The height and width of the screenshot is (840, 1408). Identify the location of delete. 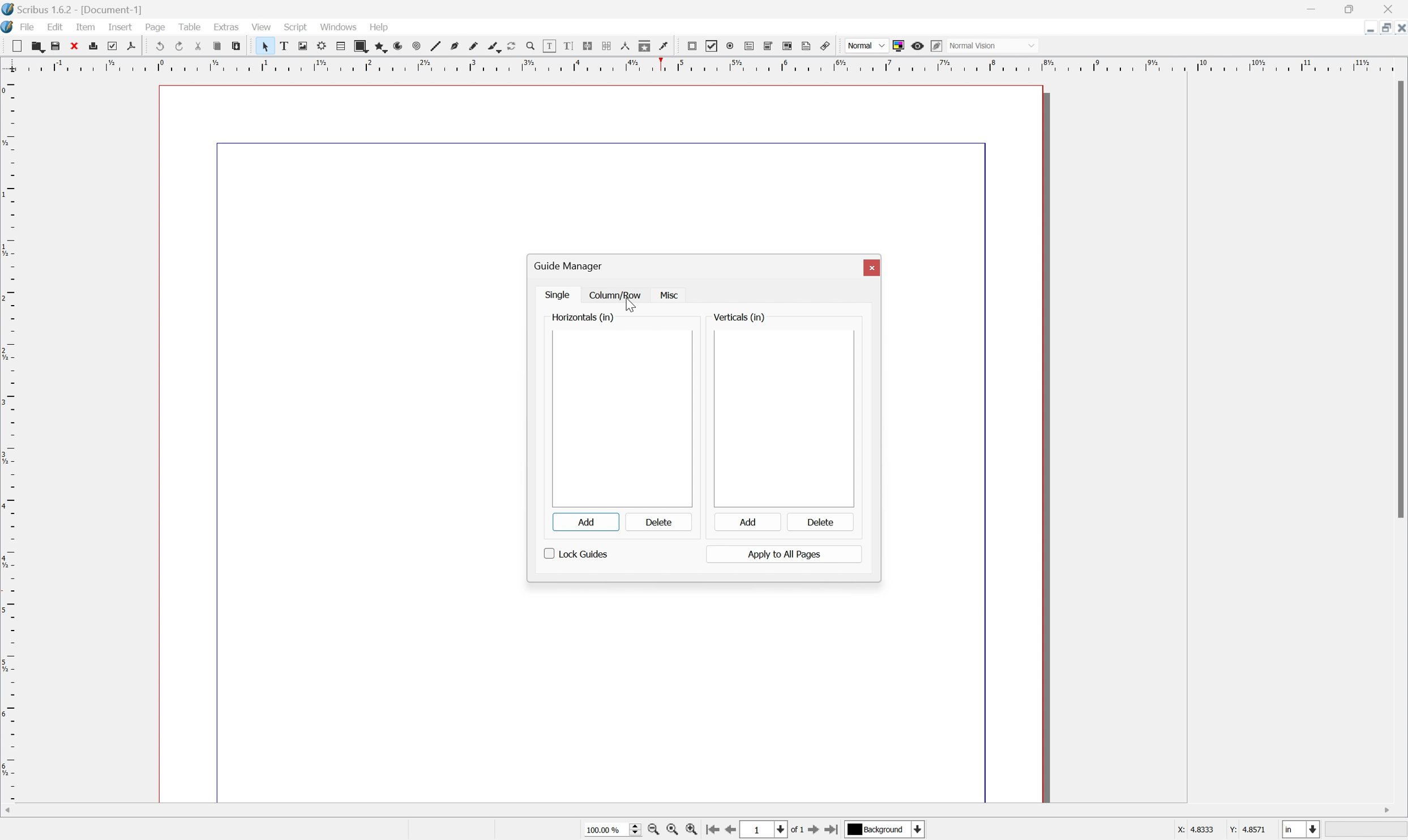
(657, 522).